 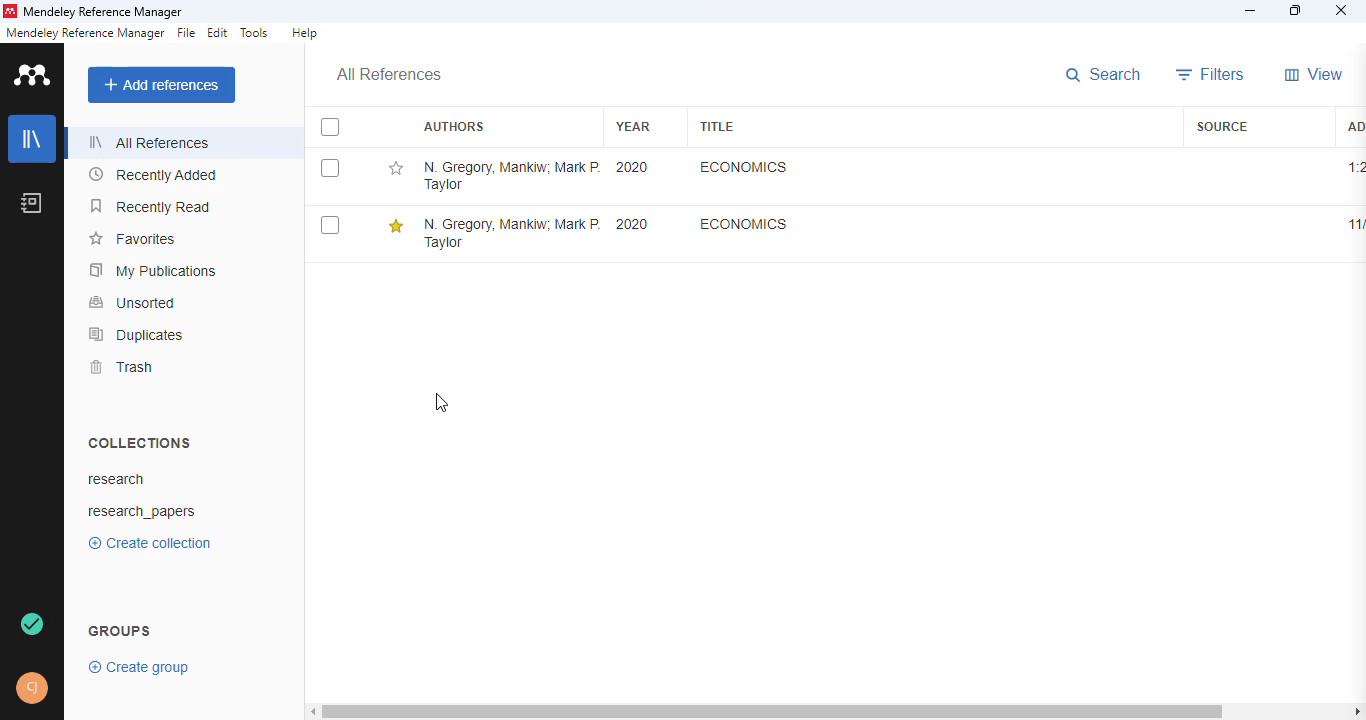 I want to click on all references, so click(x=388, y=74).